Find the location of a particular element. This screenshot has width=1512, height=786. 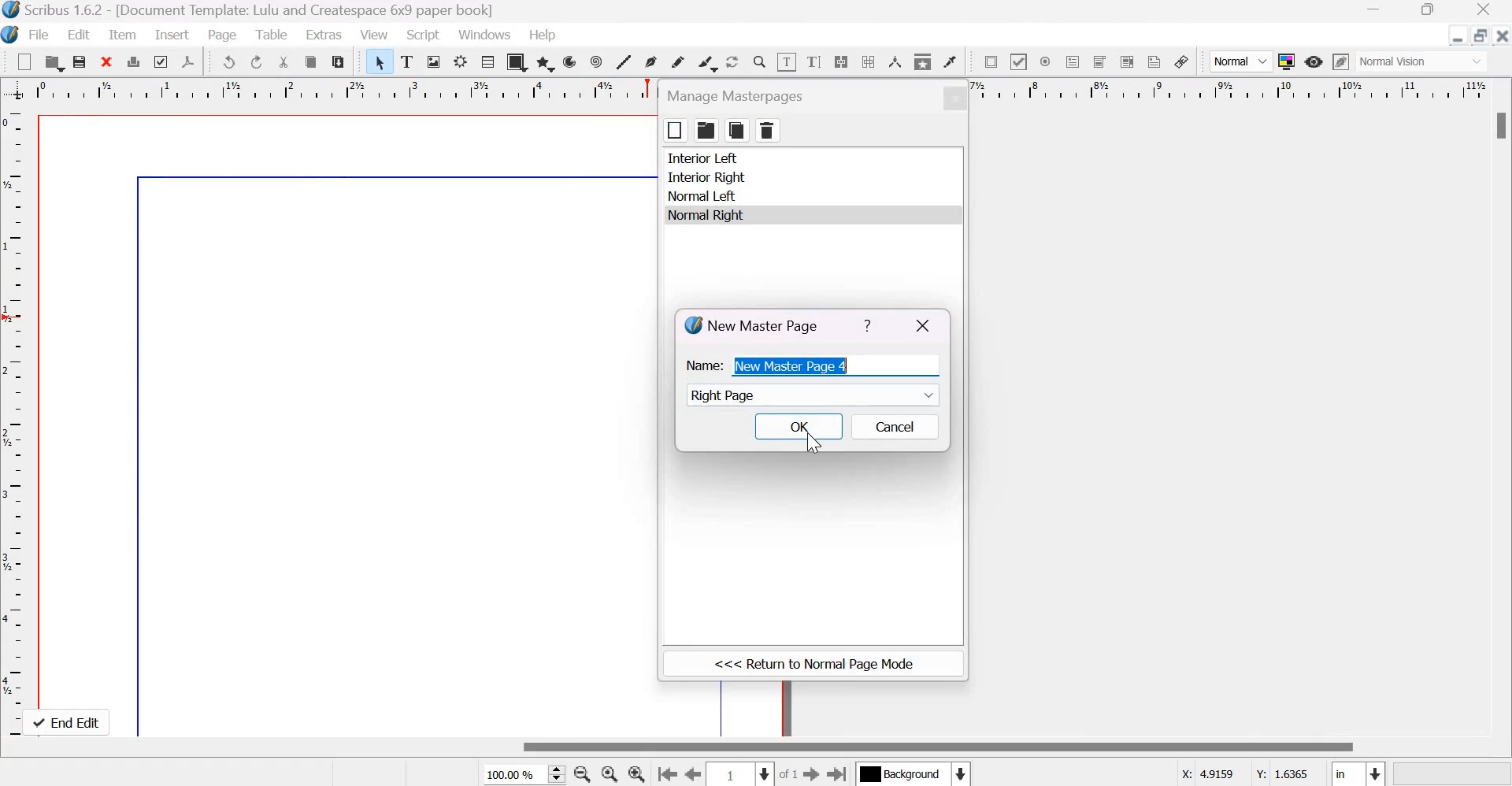

Script is located at coordinates (423, 34).